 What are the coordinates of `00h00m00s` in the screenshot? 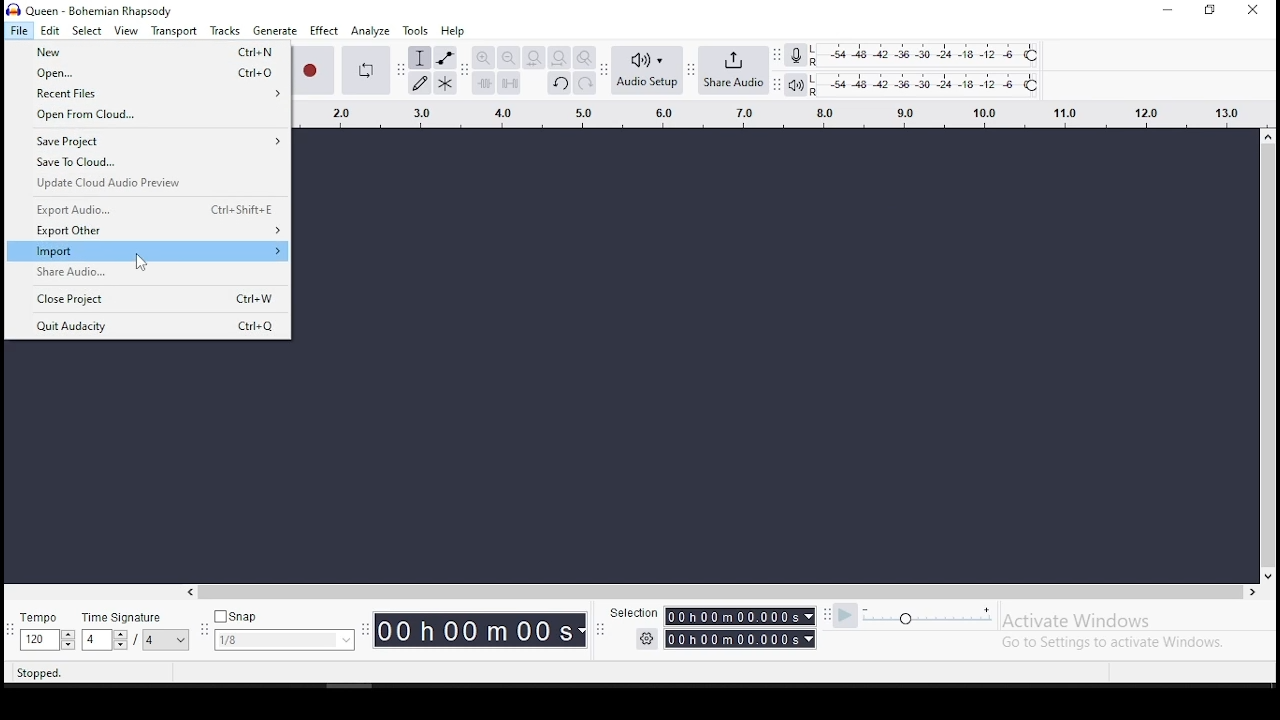 It's located at (742, 618).